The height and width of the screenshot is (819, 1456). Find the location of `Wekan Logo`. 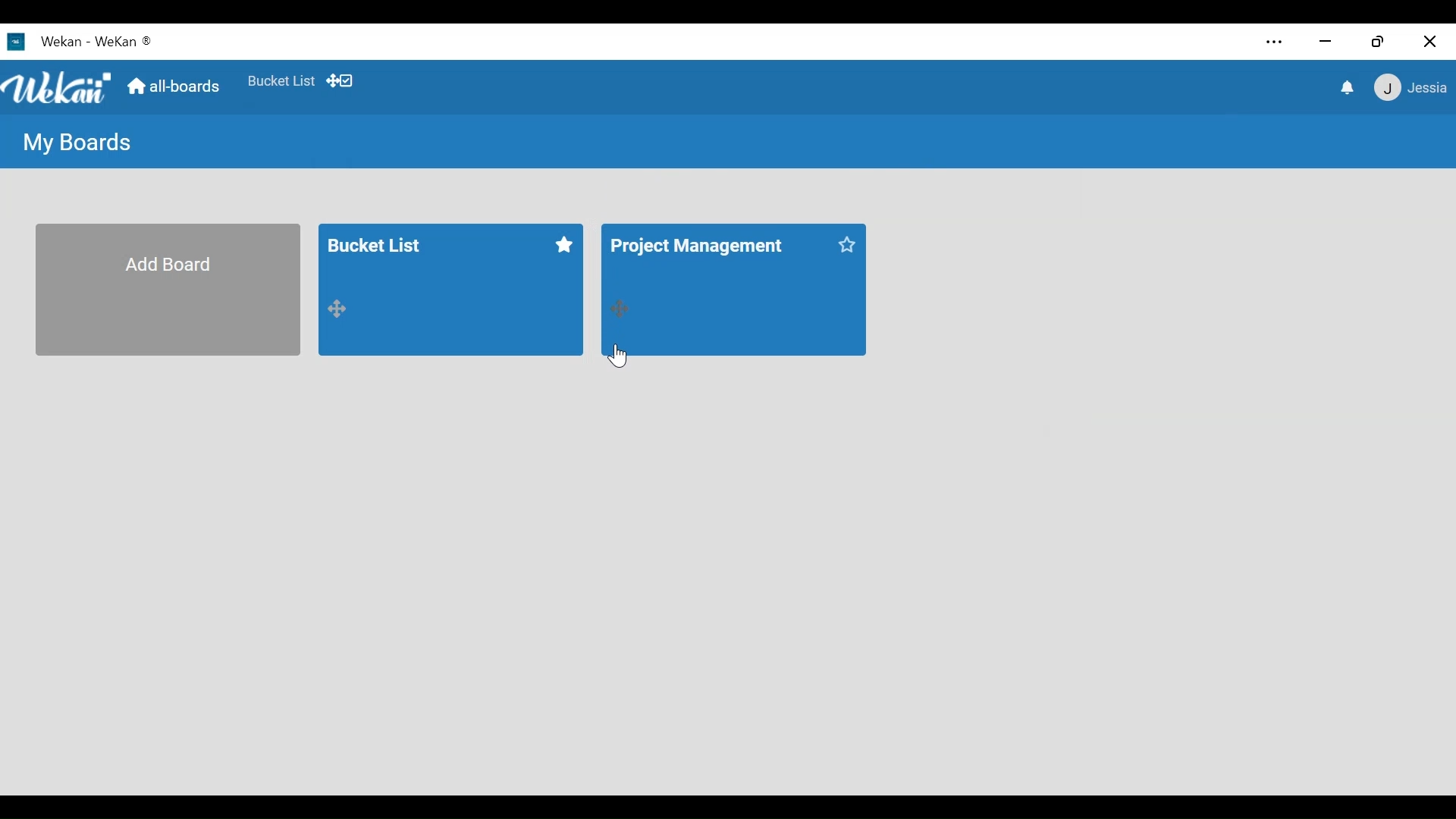

Wekan Logo is located at coordinates (56, 84).